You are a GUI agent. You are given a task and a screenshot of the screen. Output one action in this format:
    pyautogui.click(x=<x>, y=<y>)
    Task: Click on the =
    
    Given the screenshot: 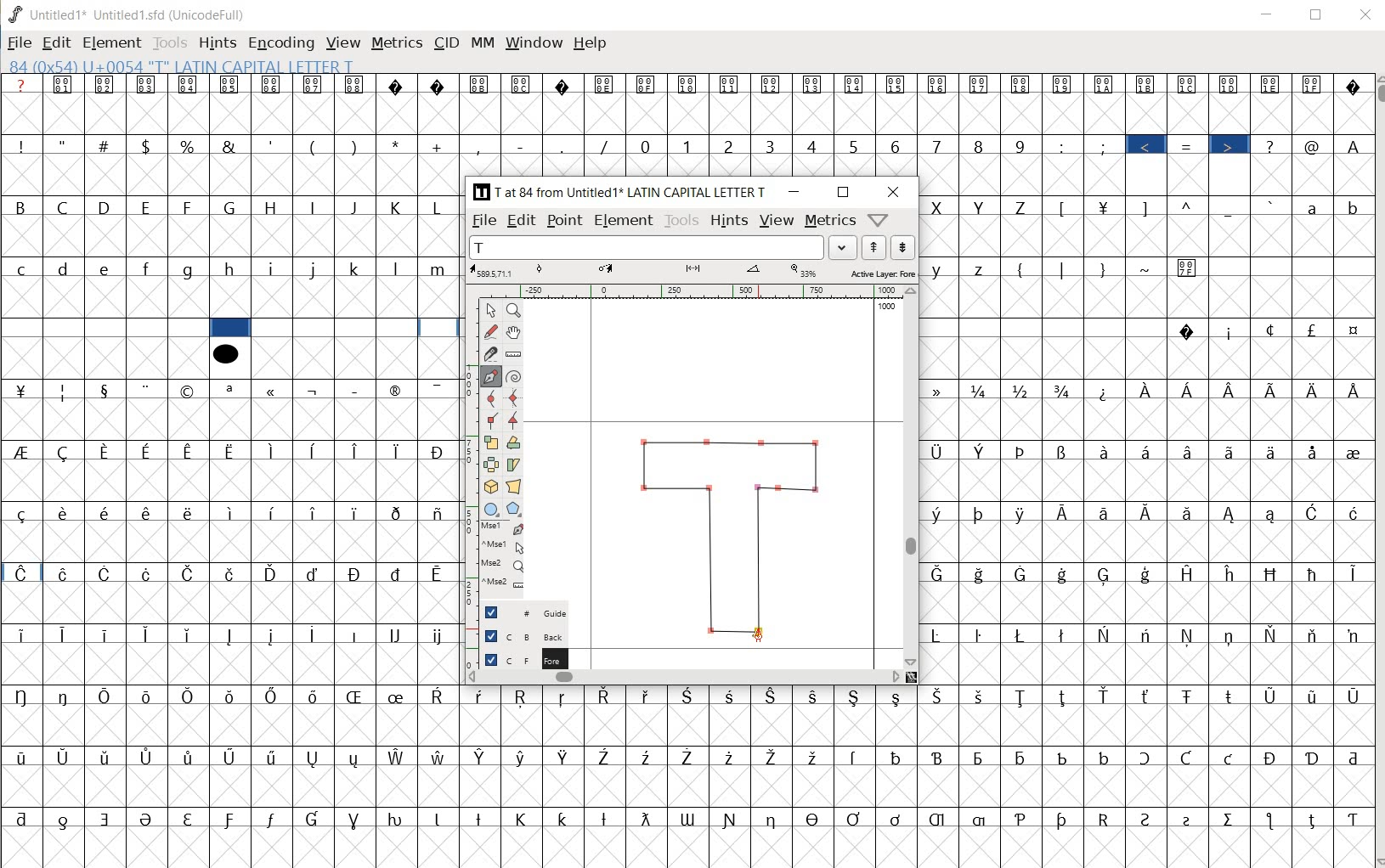 What is the action you would take?
    pyautogui.click(x=1190, y=146)
    